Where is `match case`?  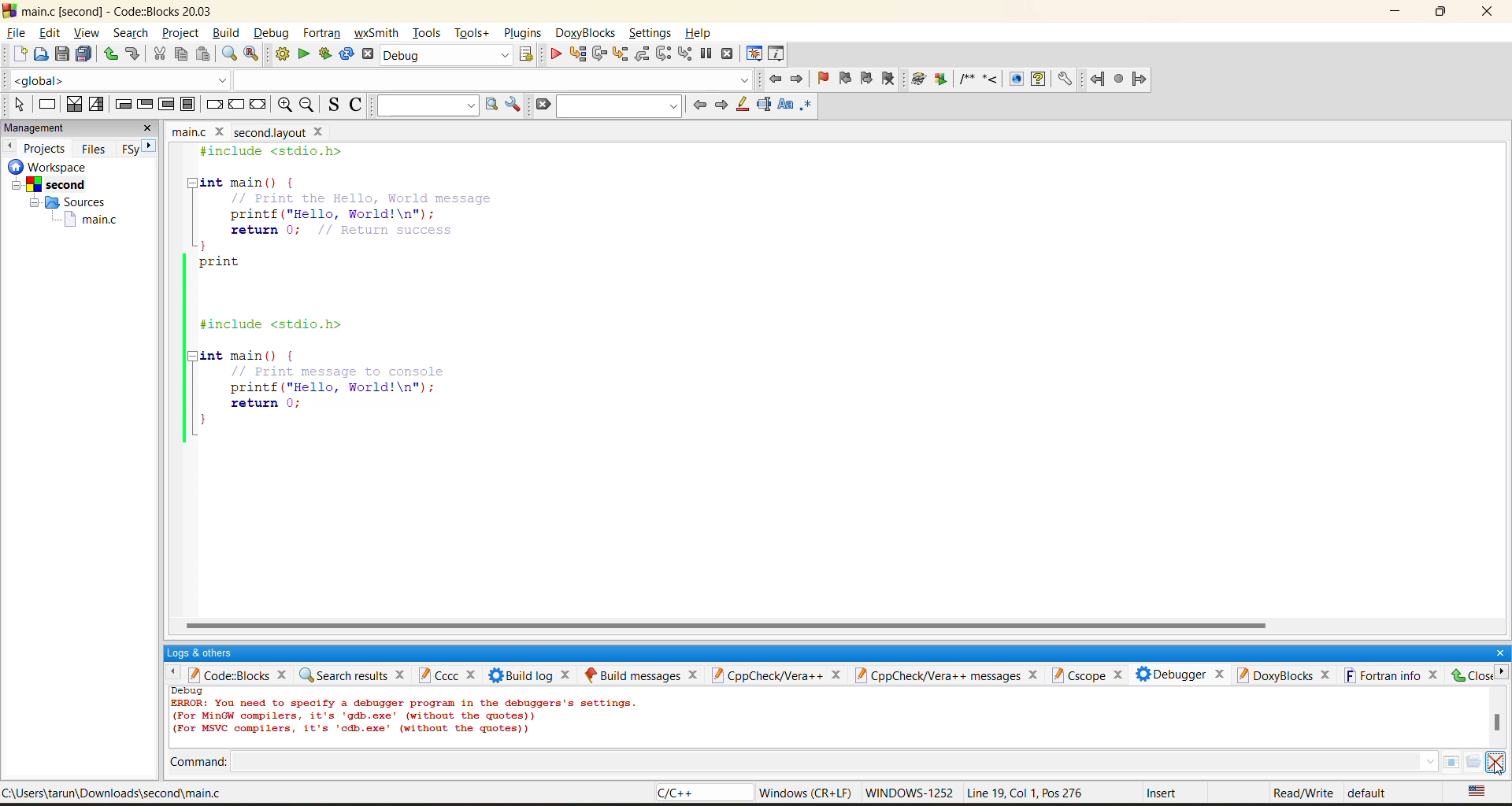
match case is located at coordinates (785, 107).